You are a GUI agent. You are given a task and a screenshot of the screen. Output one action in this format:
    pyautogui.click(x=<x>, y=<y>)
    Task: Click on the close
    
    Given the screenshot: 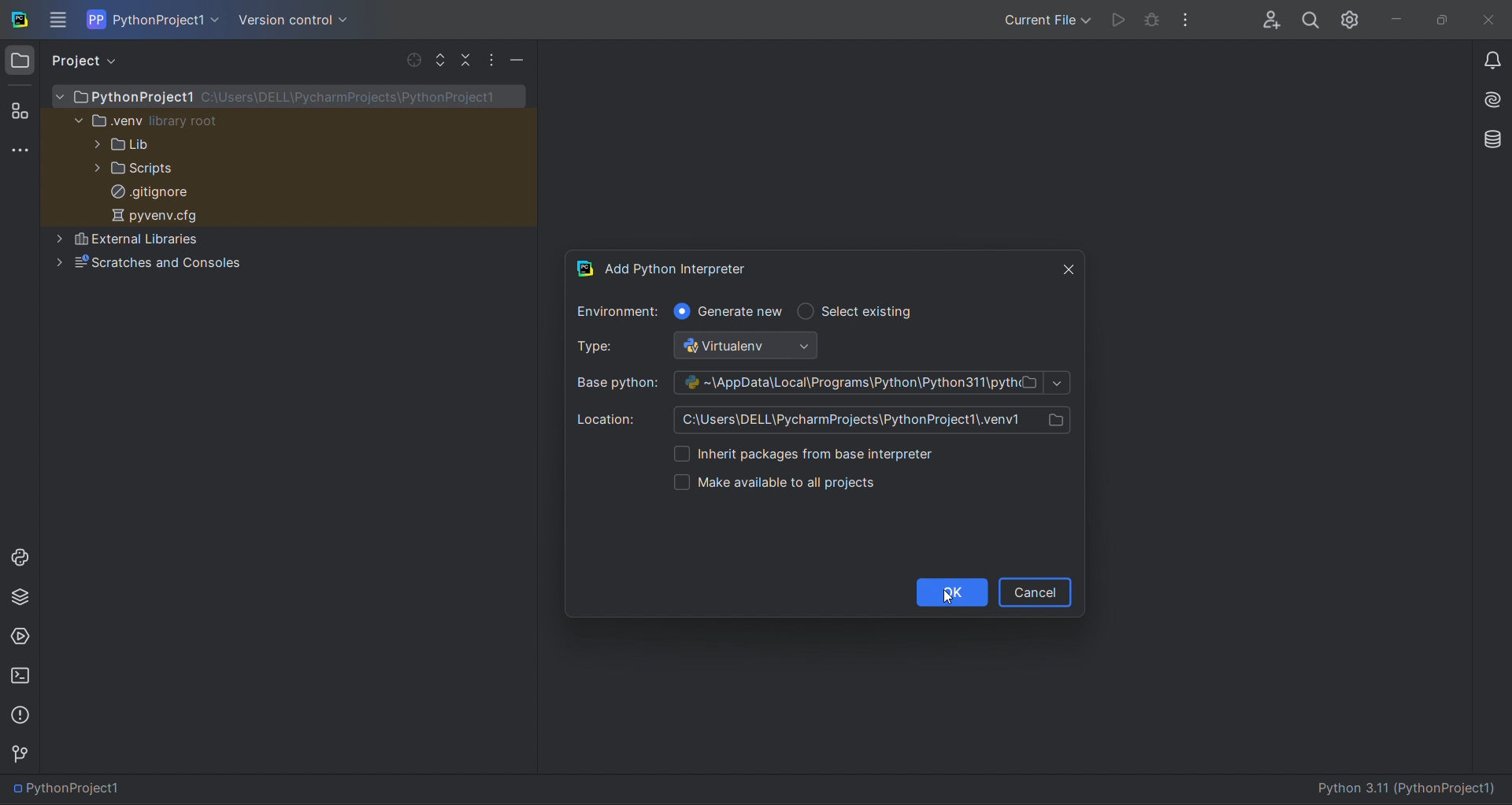 What is the action you would take?
    pyautogui.click(x=1066, y=264)
    